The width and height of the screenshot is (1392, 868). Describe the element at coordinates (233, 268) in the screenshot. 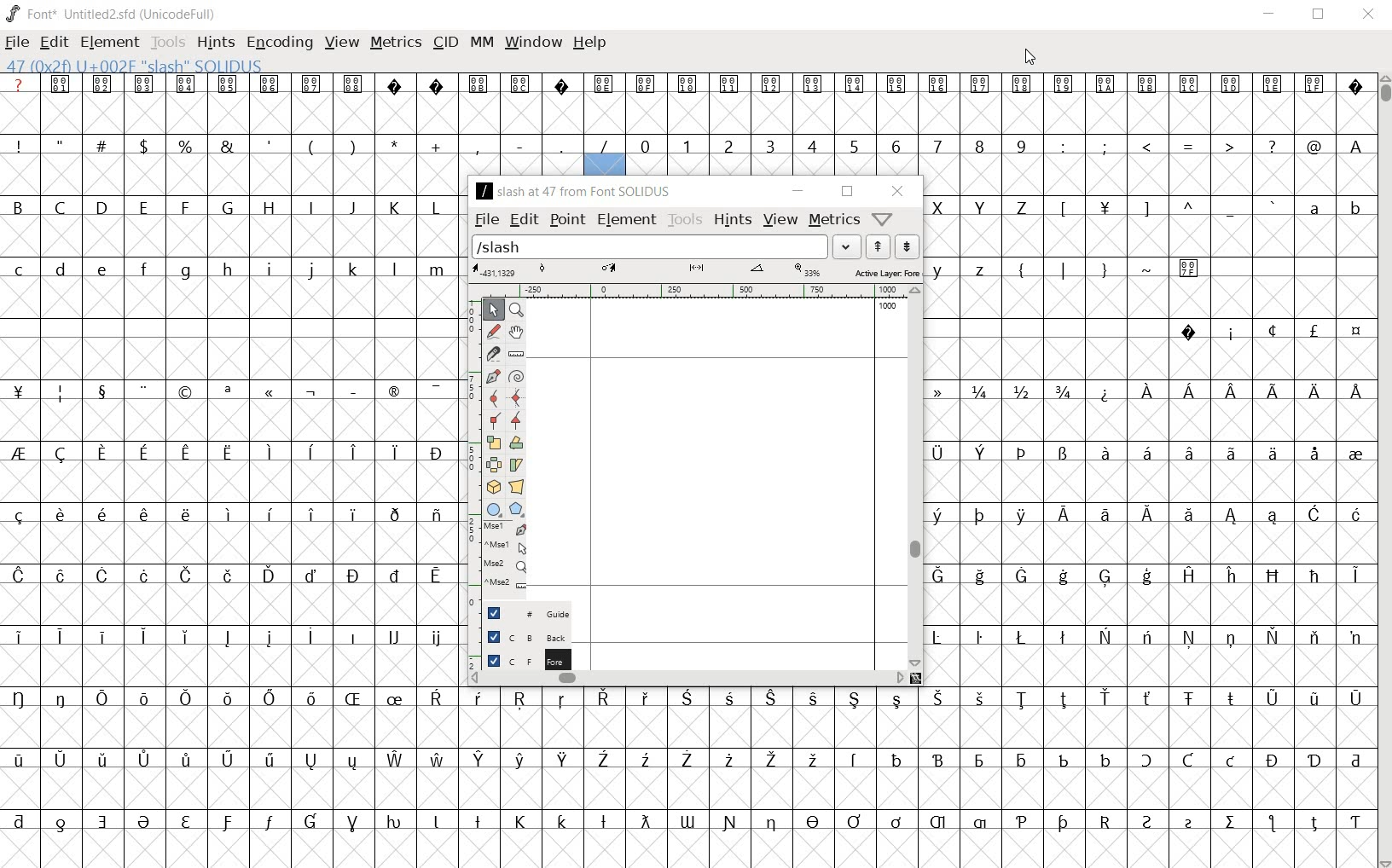

I see `small letters c-z` at that location.